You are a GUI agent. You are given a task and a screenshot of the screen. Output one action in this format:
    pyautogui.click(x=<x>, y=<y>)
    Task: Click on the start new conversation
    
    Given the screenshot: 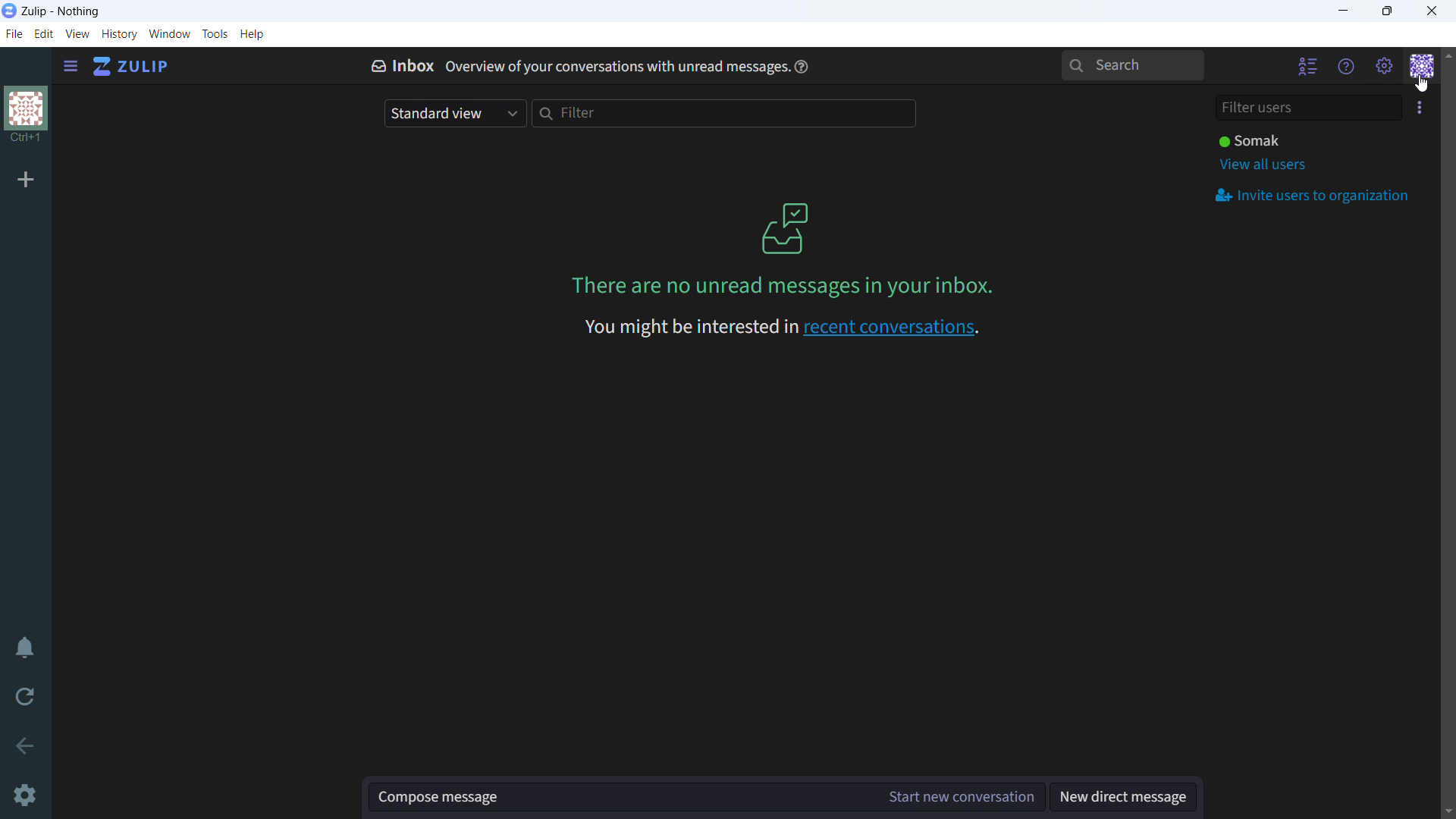 What is the action you would take?
    pyautogui.click(x=963, y=796)
    